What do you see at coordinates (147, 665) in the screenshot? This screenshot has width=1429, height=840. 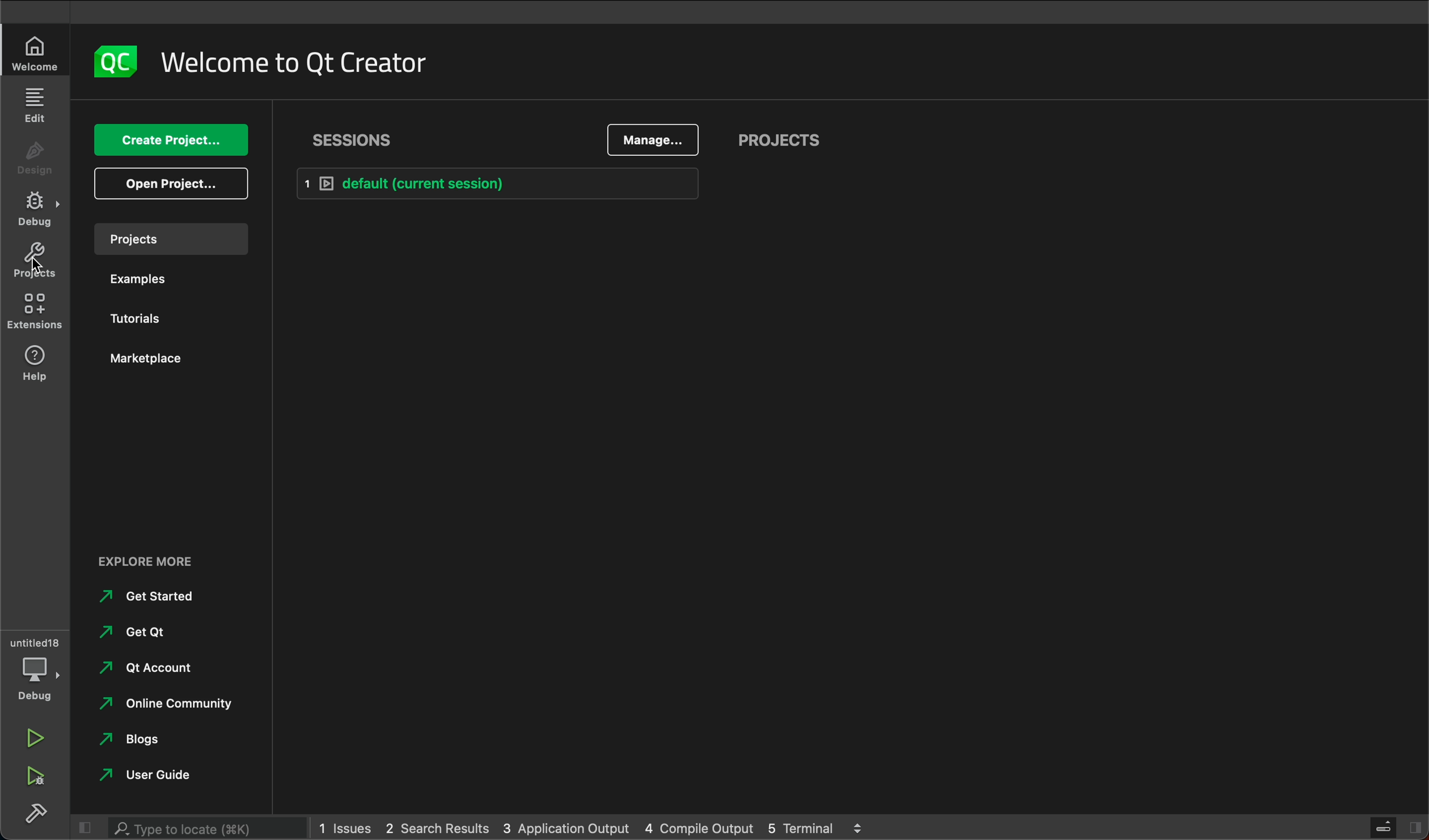 I see `Qt Account` at bounding box center [147, 665].